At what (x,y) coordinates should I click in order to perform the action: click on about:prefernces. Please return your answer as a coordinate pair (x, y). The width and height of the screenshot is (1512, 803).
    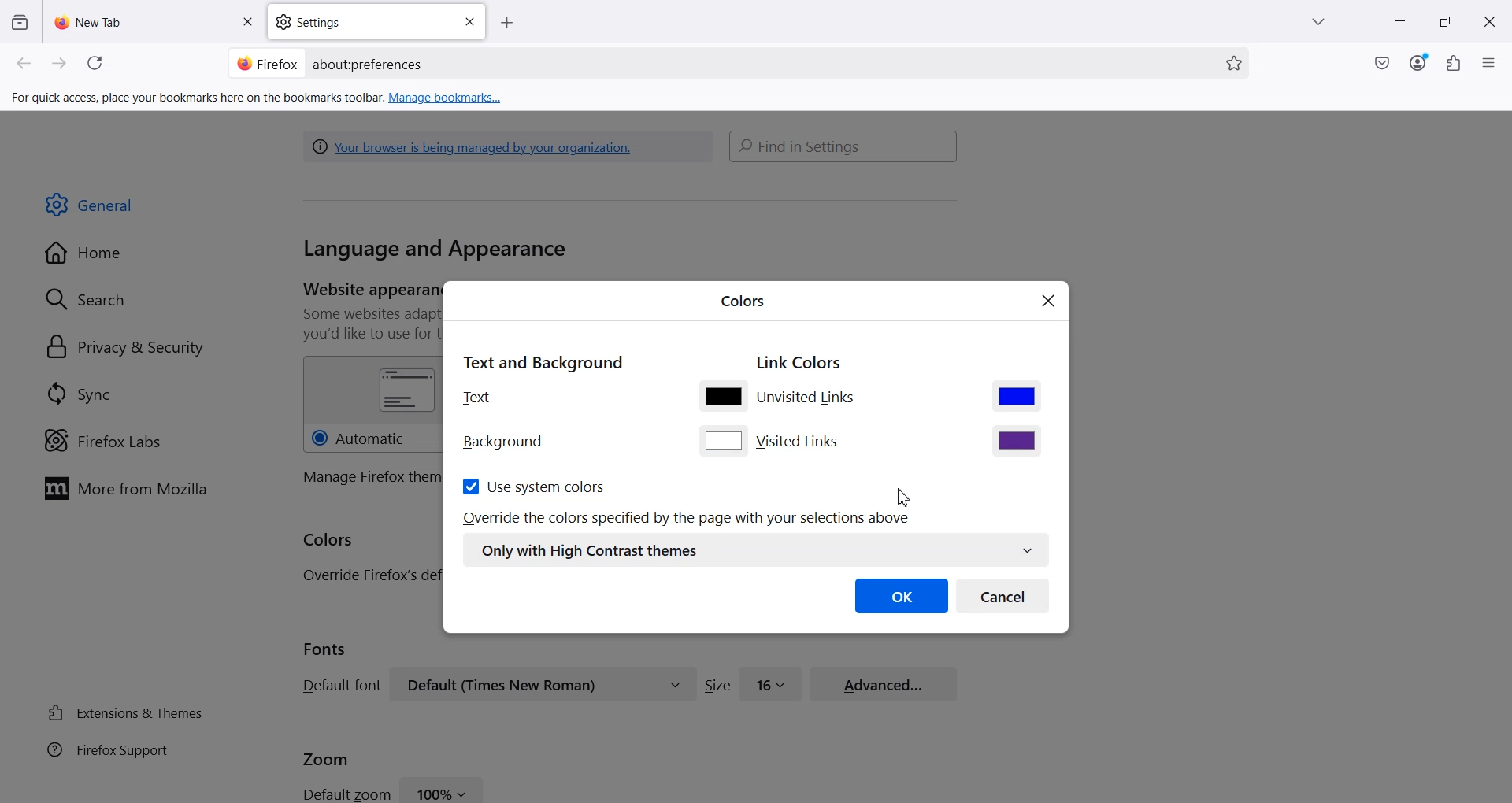
    Looking at the image, I should click on (369, 65).